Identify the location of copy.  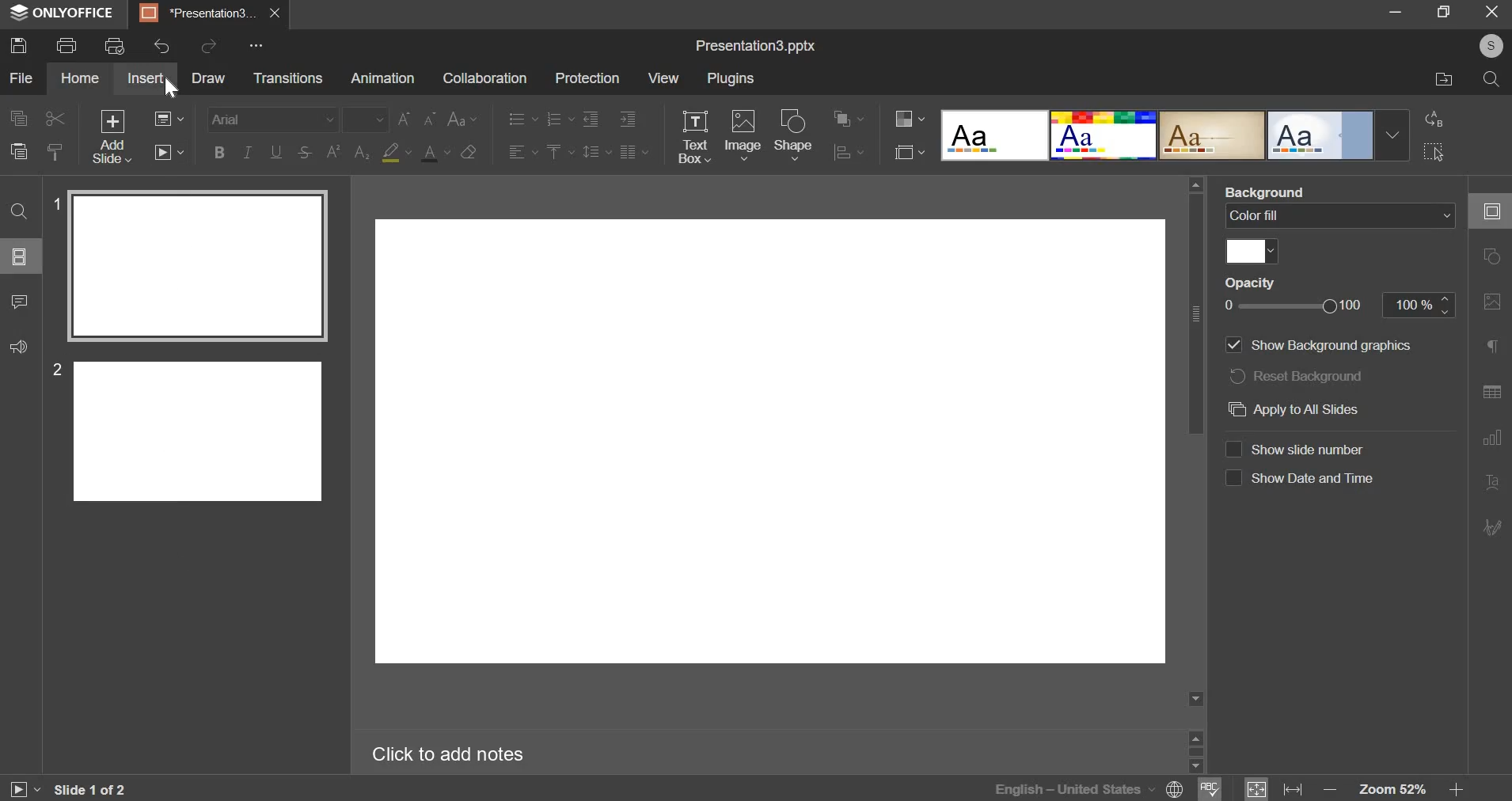
(19, 118).